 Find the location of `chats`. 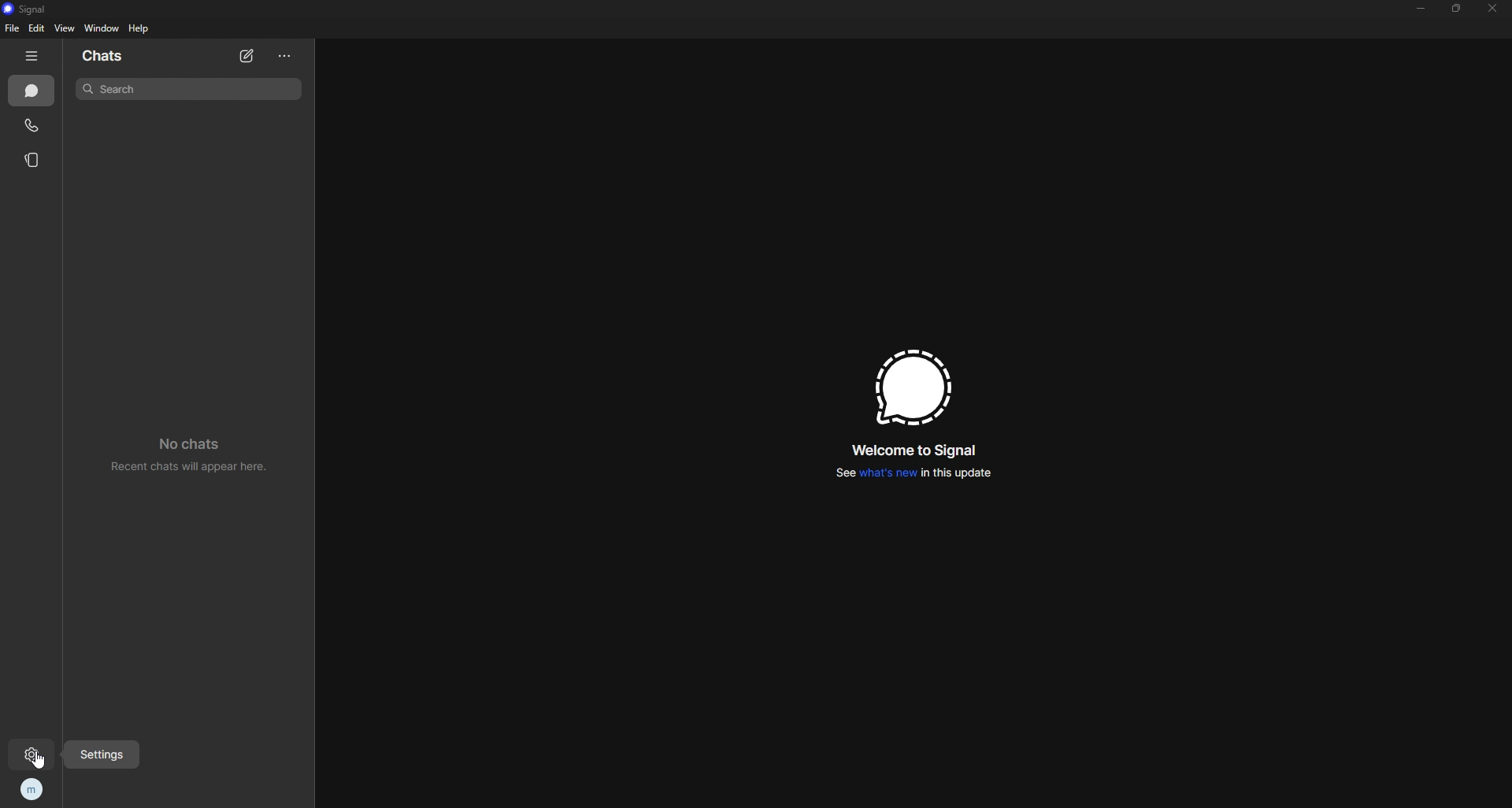

chats is located at coordinates (32, 91).